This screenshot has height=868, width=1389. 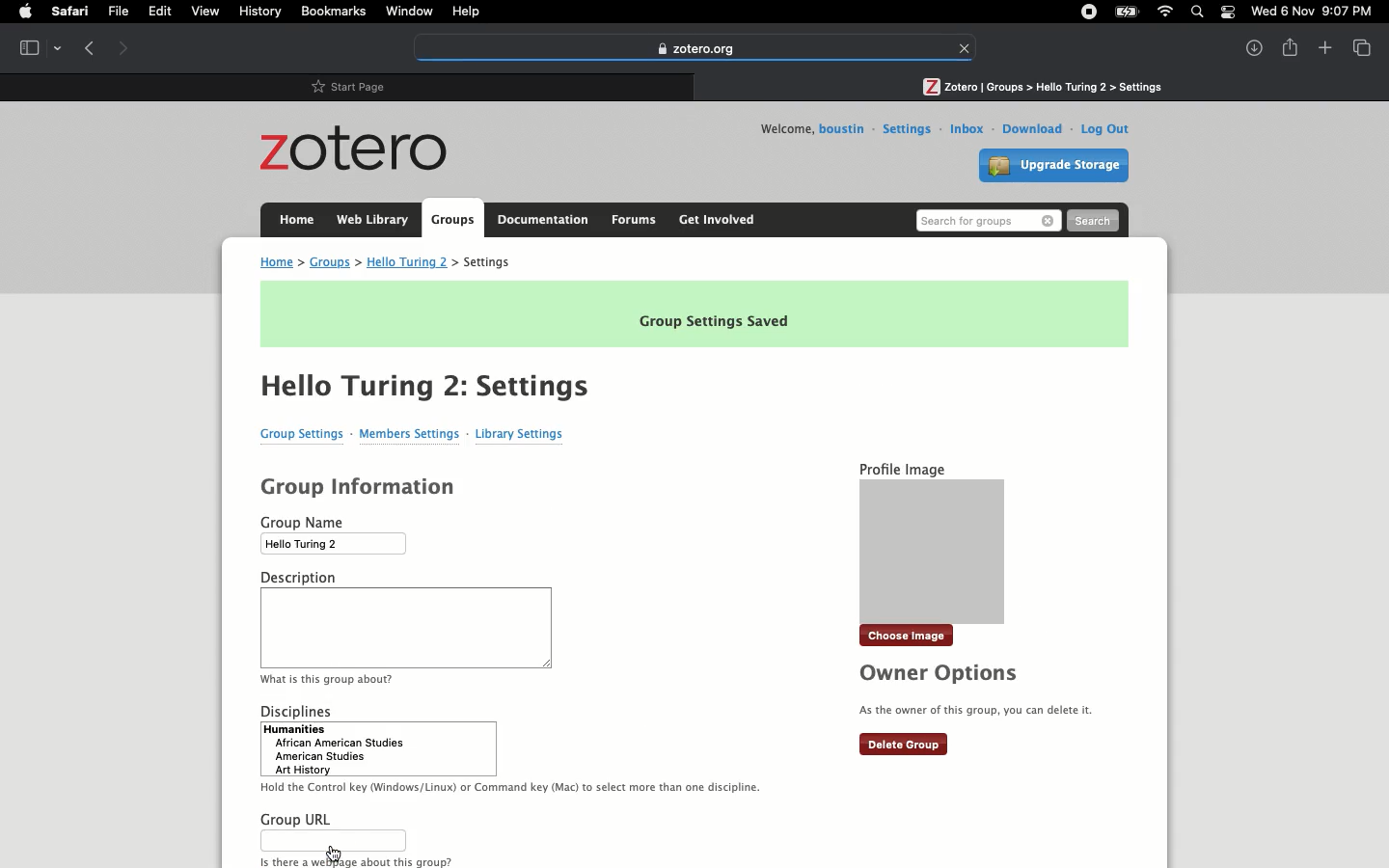 What do you see at coordinates (513, 747) in the screenshot?
I see `Disciplines` at bounding box center [513, 747].